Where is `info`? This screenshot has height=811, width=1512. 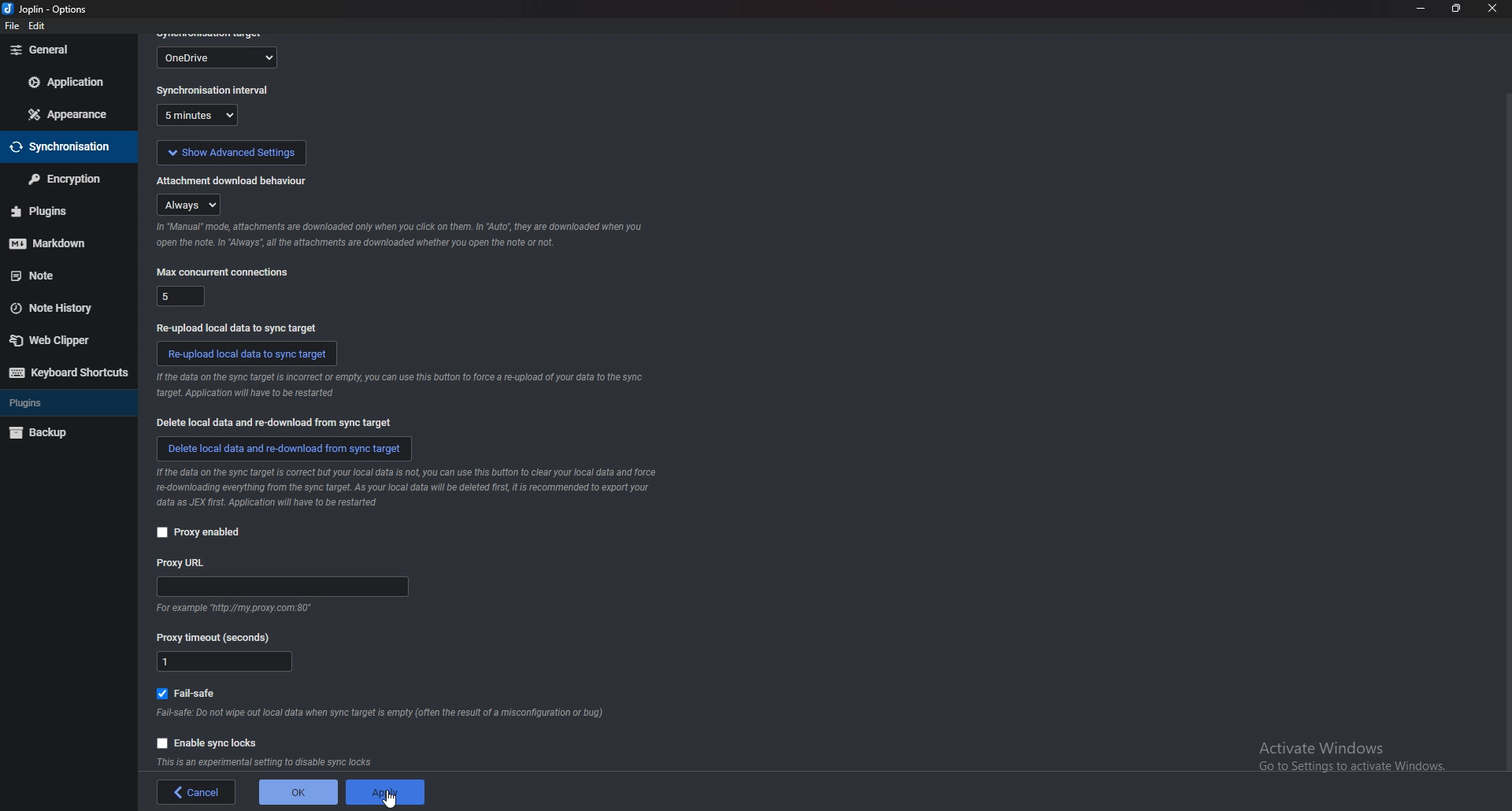 info is located at coordinates (383, 713).